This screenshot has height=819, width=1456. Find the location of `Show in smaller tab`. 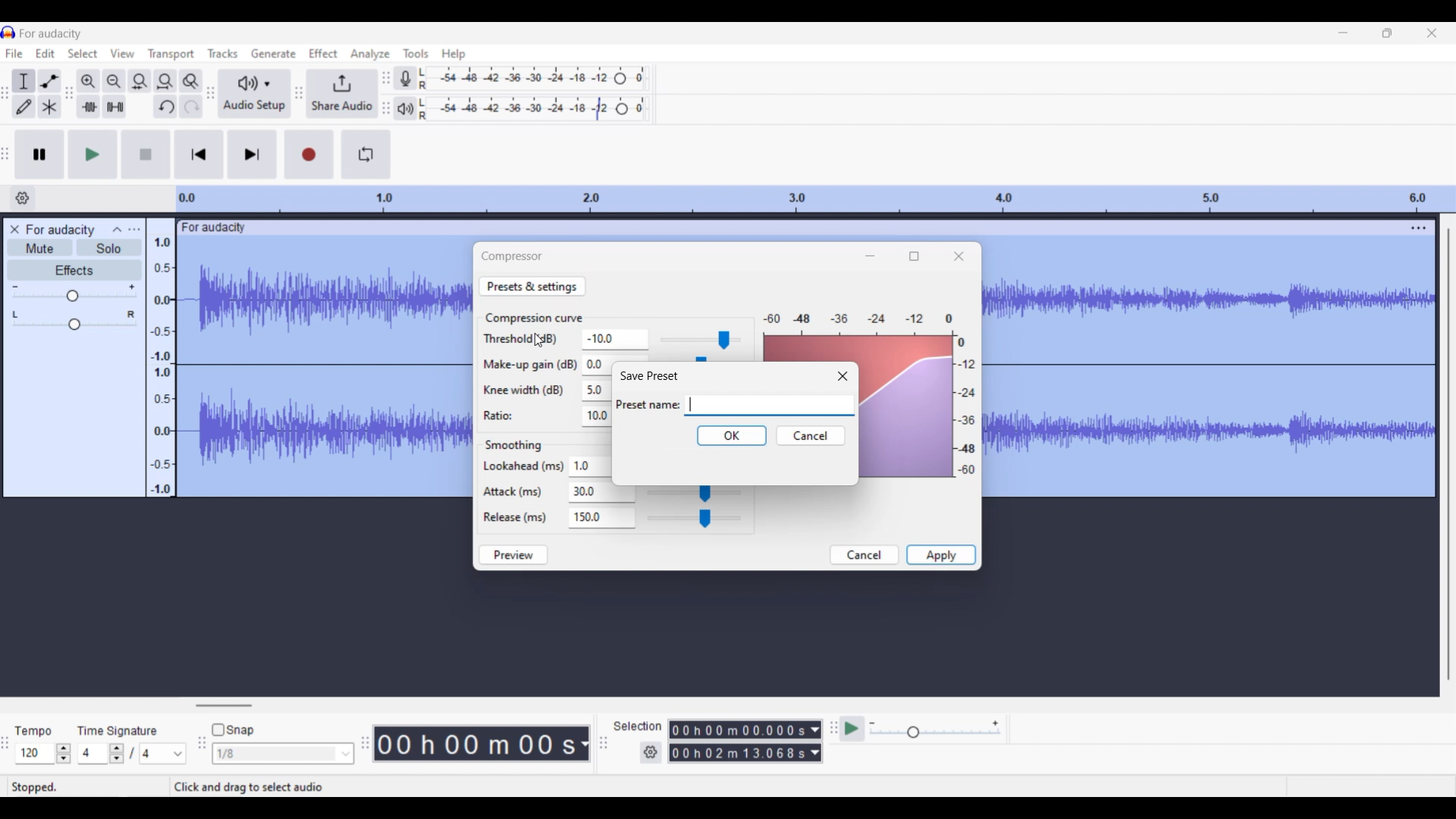

Show in smaller tab is located at coordinates (1388, 33).